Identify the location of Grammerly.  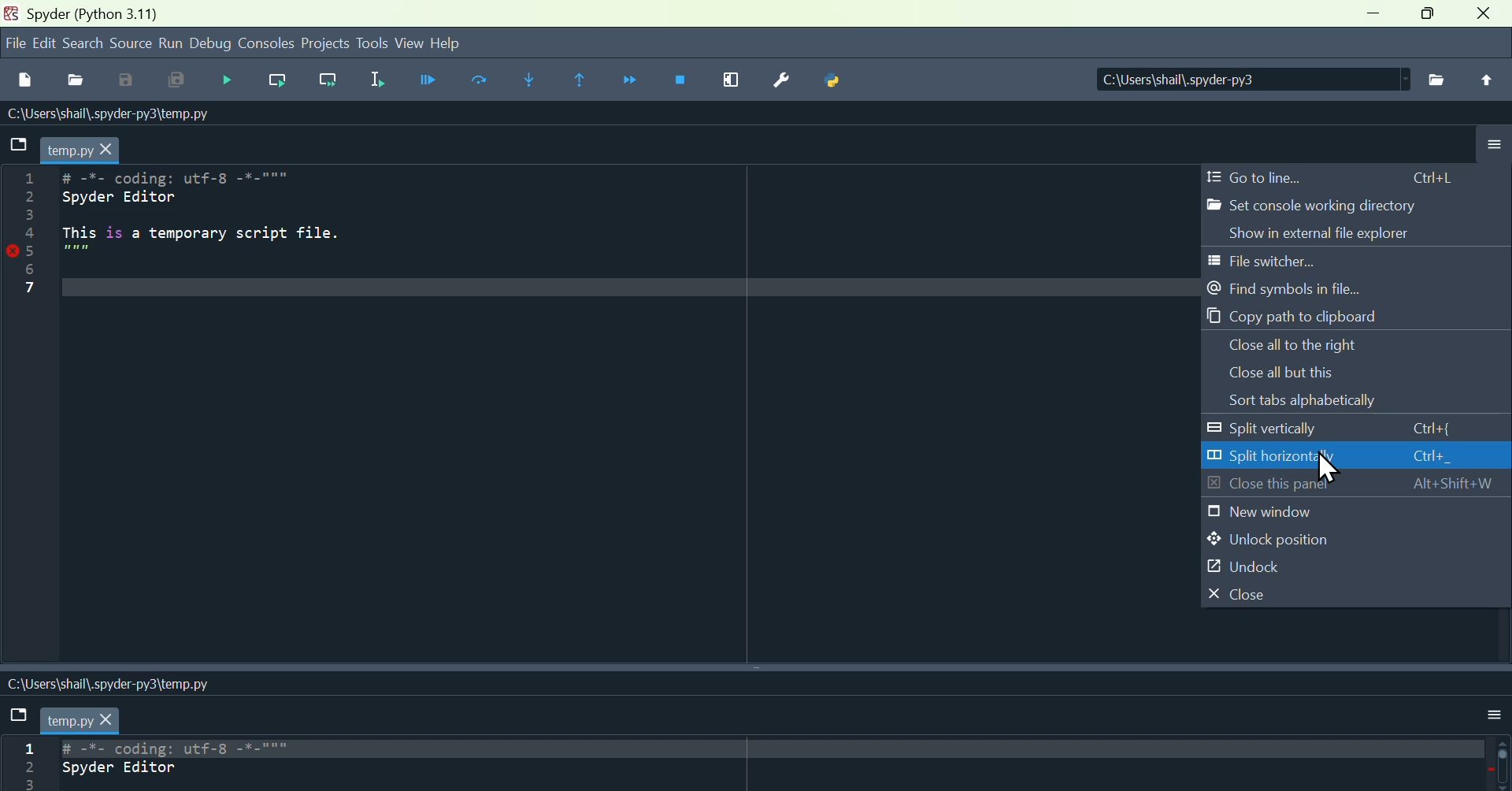
(1464, 775).